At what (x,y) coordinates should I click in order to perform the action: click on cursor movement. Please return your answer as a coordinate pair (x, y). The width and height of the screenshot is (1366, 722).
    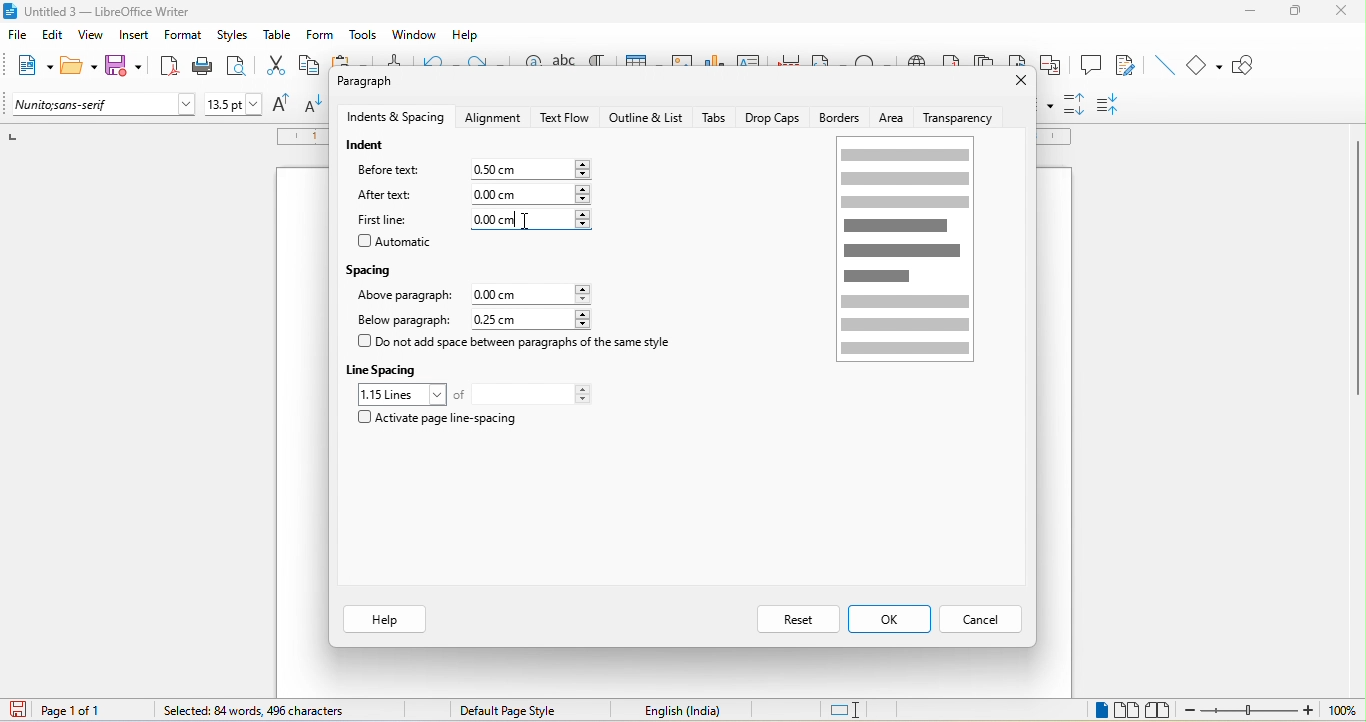
    Looking at the image, I should click on (526, 223).